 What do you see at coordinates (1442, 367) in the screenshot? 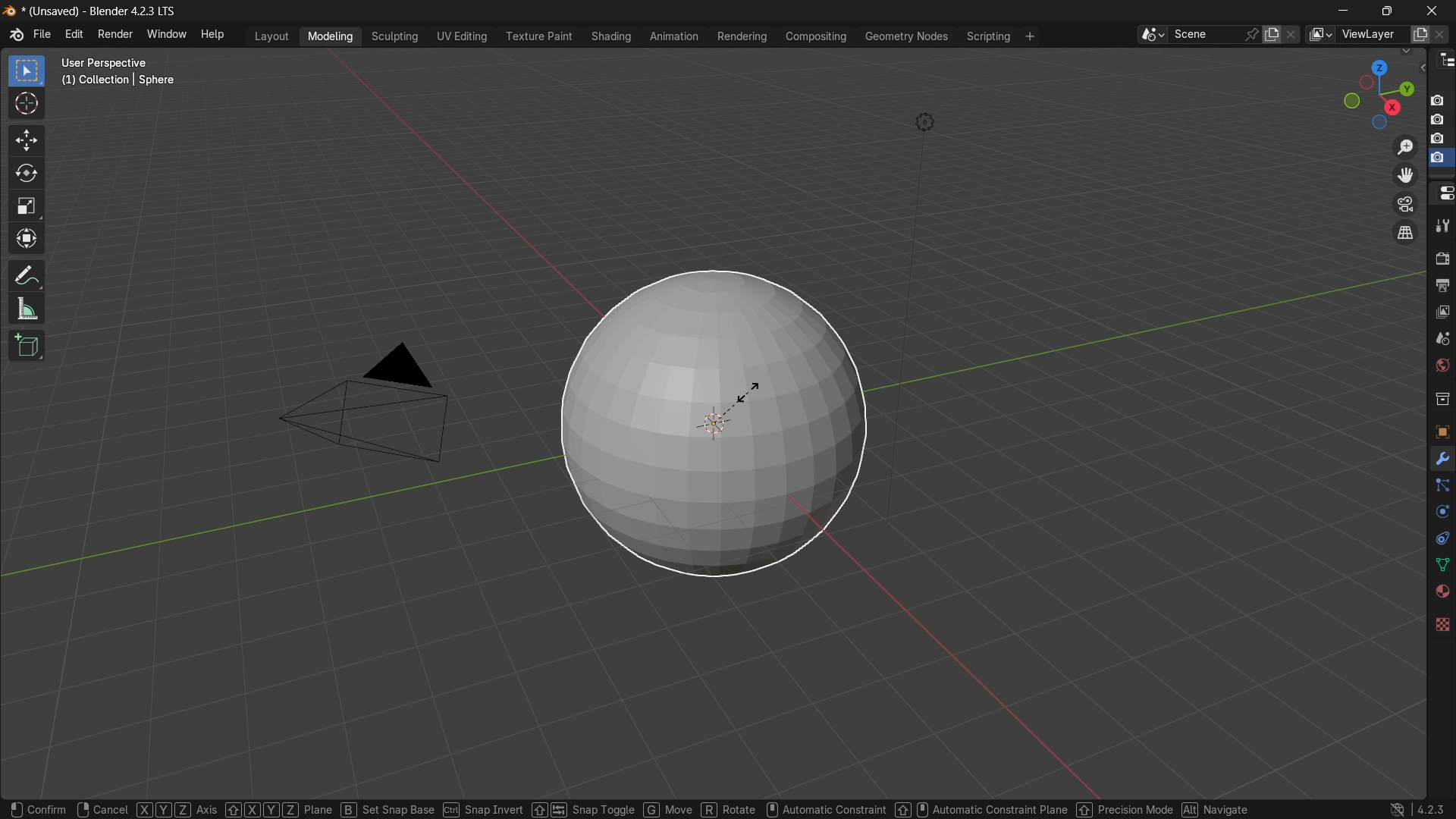
I see `world` at bounding box center [1442, 367].